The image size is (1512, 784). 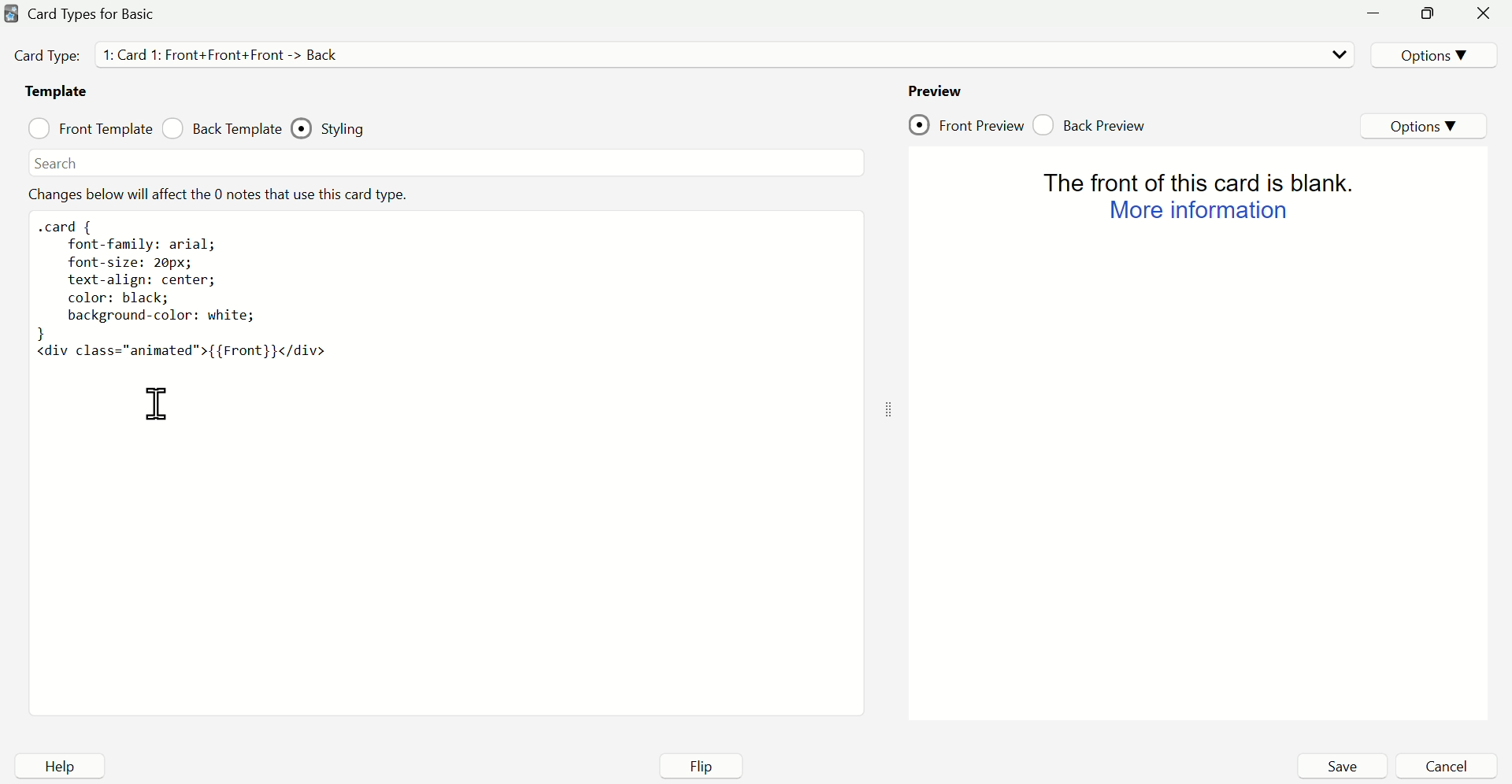 What do you see at coordinates (661, 767) in the screenshot?
I see `Aff Field` at bounding box center [661, 767].